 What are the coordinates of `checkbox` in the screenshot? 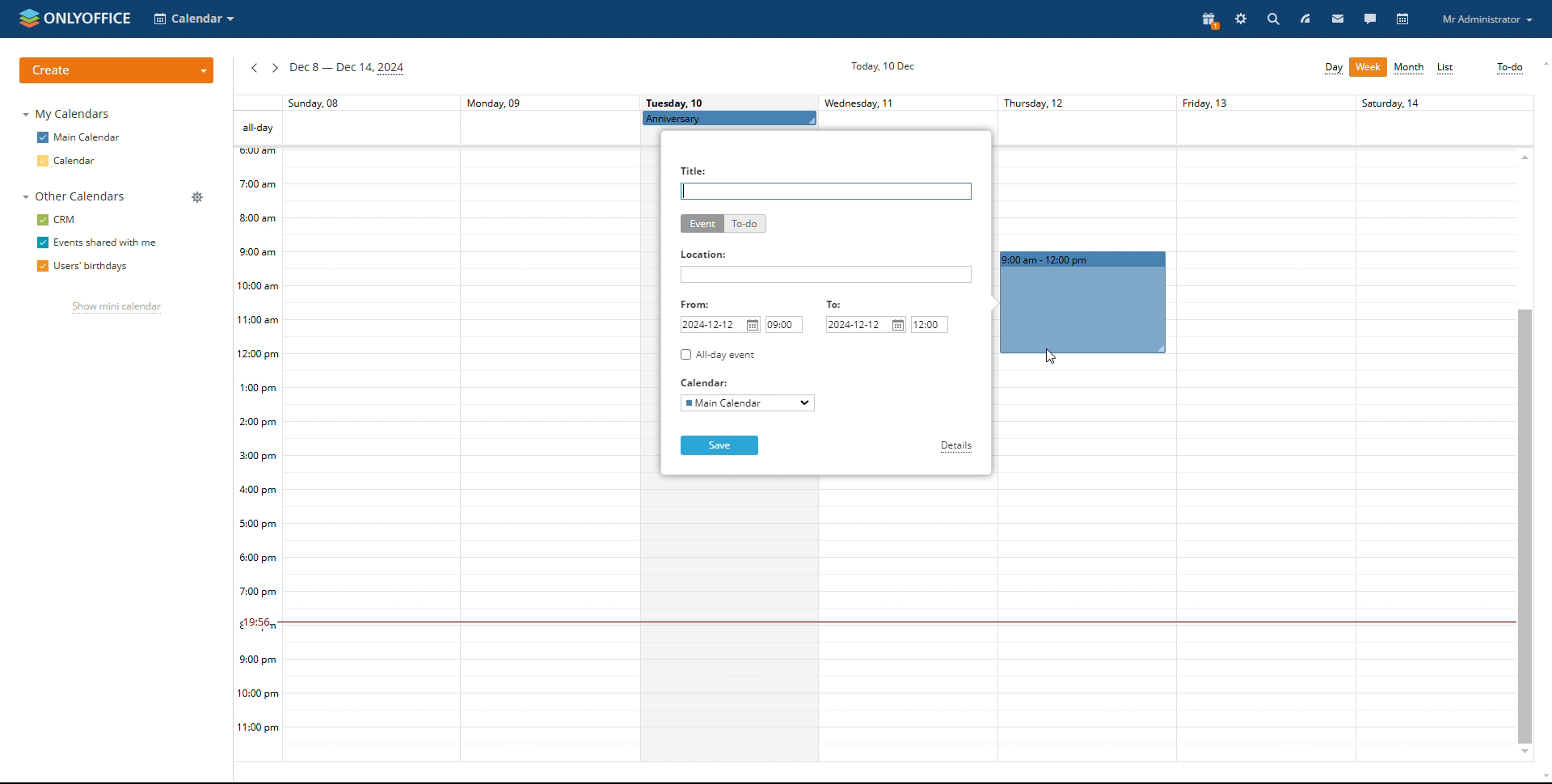 It's located at (41, 219).